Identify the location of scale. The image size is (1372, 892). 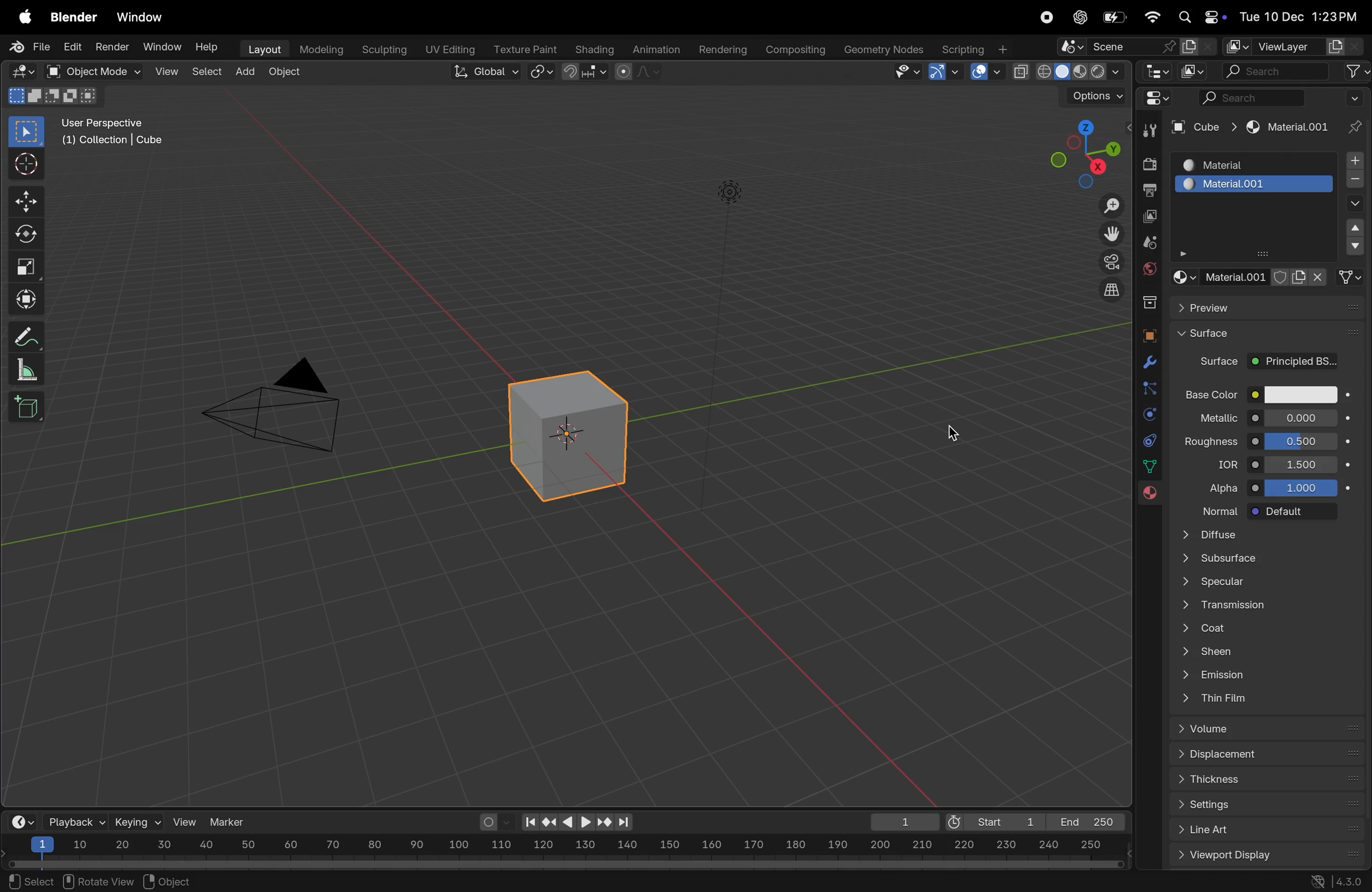
(22, 369).